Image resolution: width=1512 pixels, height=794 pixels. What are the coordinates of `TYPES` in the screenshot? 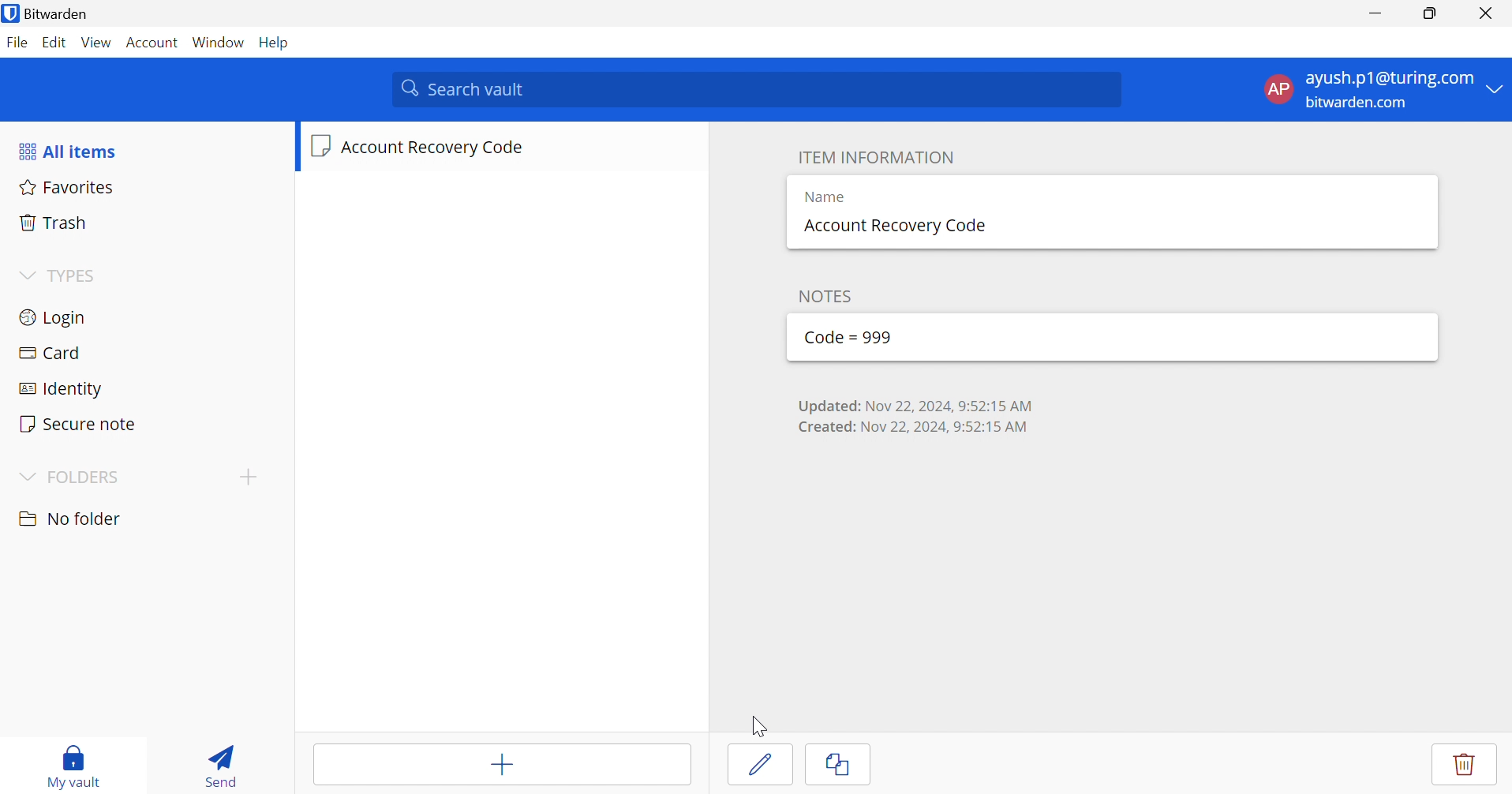 It's located at (76, 277).